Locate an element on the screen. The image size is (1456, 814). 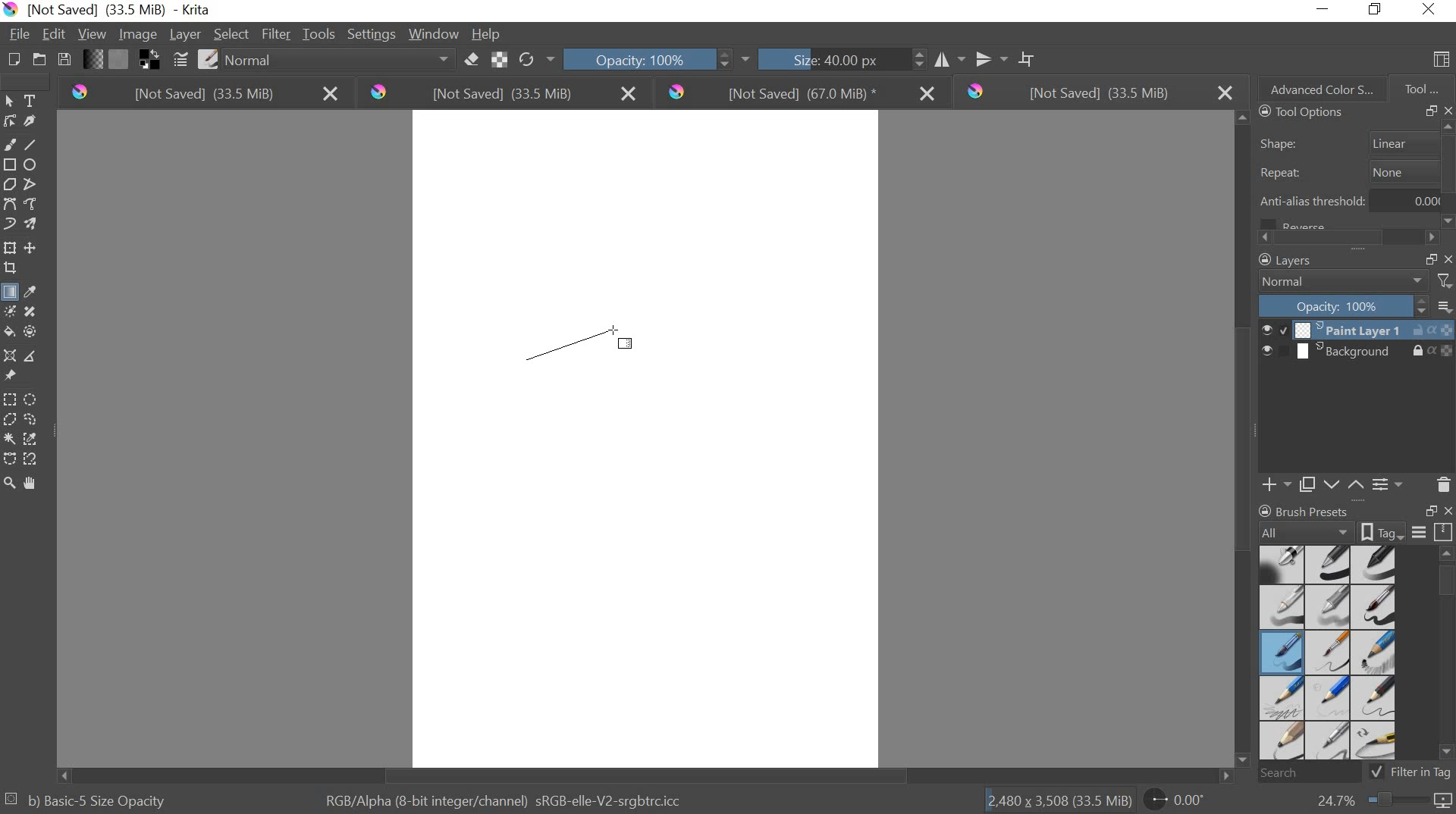
FILTER IN TAG is located at coordinates (1424, 773).